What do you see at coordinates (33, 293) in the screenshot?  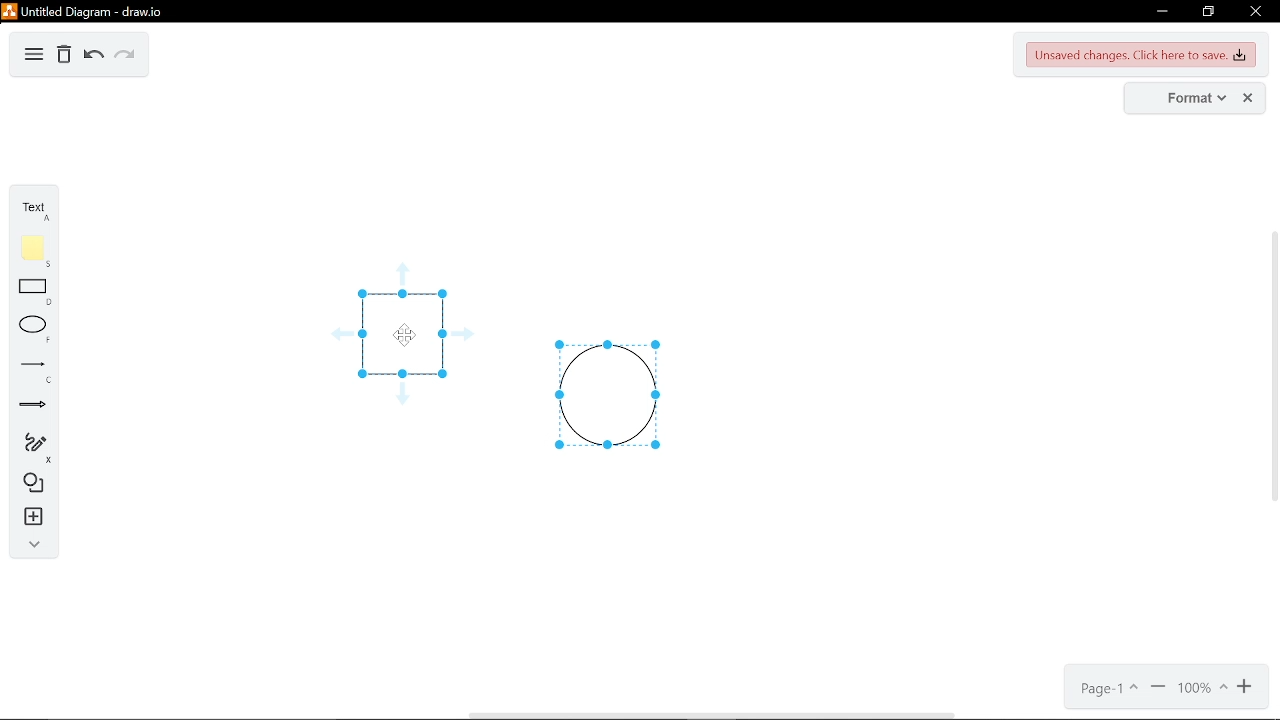 I see `rectangle` at bounding box center [33, 293].